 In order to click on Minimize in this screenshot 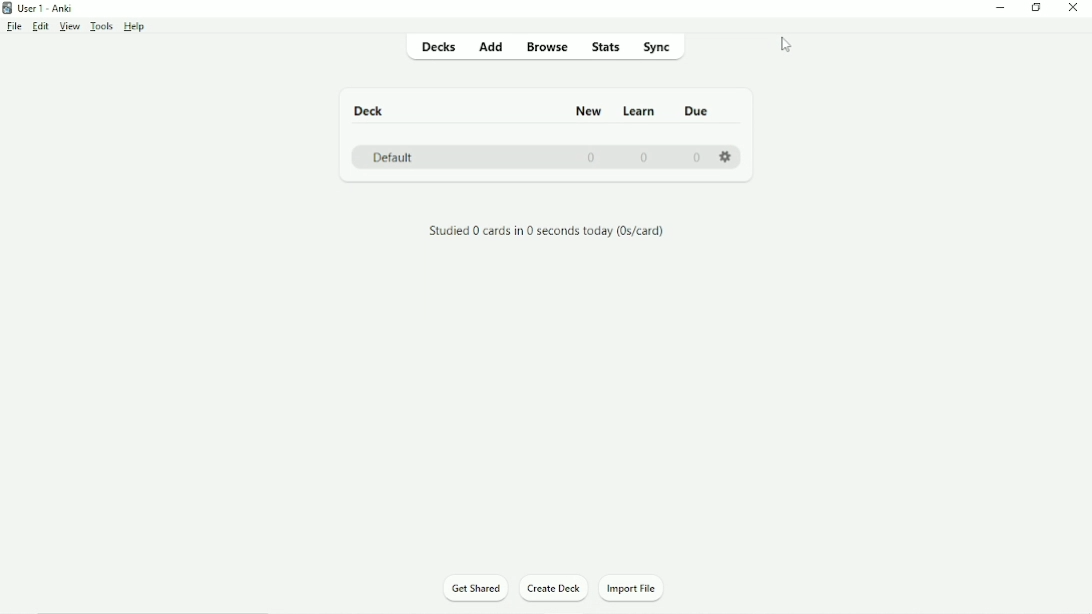, I will do `click(999, 9)`.